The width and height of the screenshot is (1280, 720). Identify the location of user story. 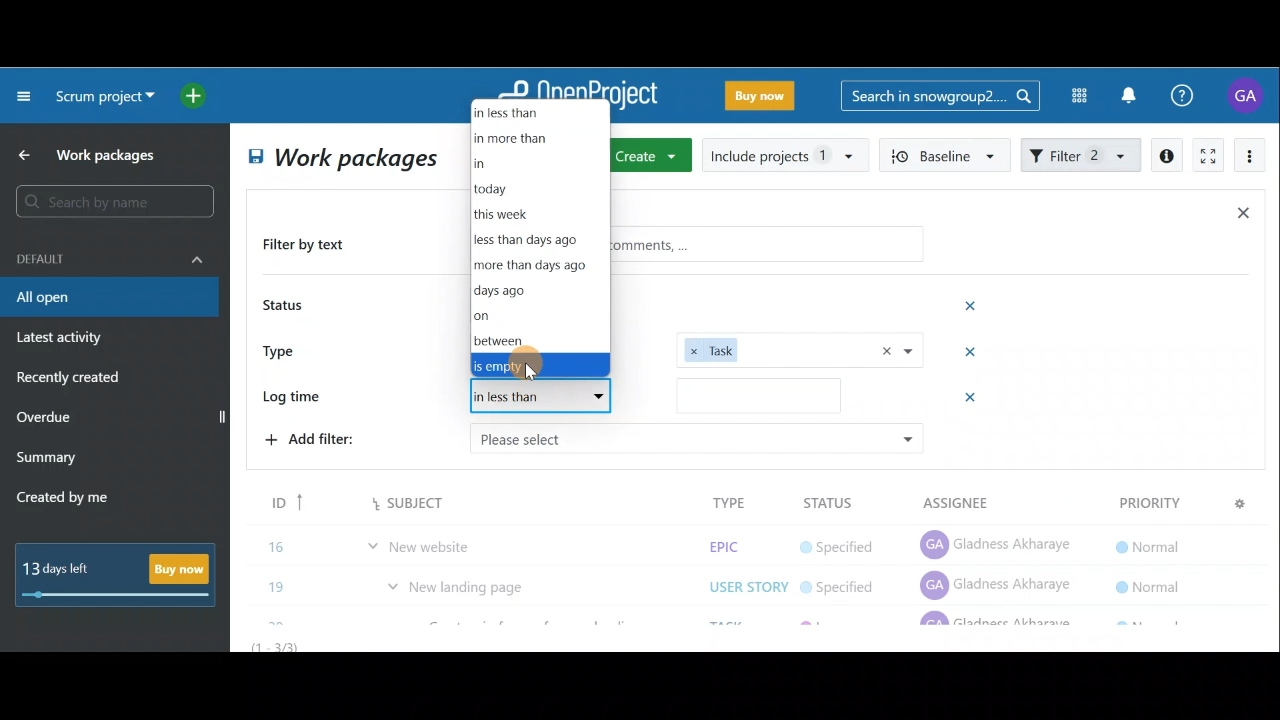
(743, 583).